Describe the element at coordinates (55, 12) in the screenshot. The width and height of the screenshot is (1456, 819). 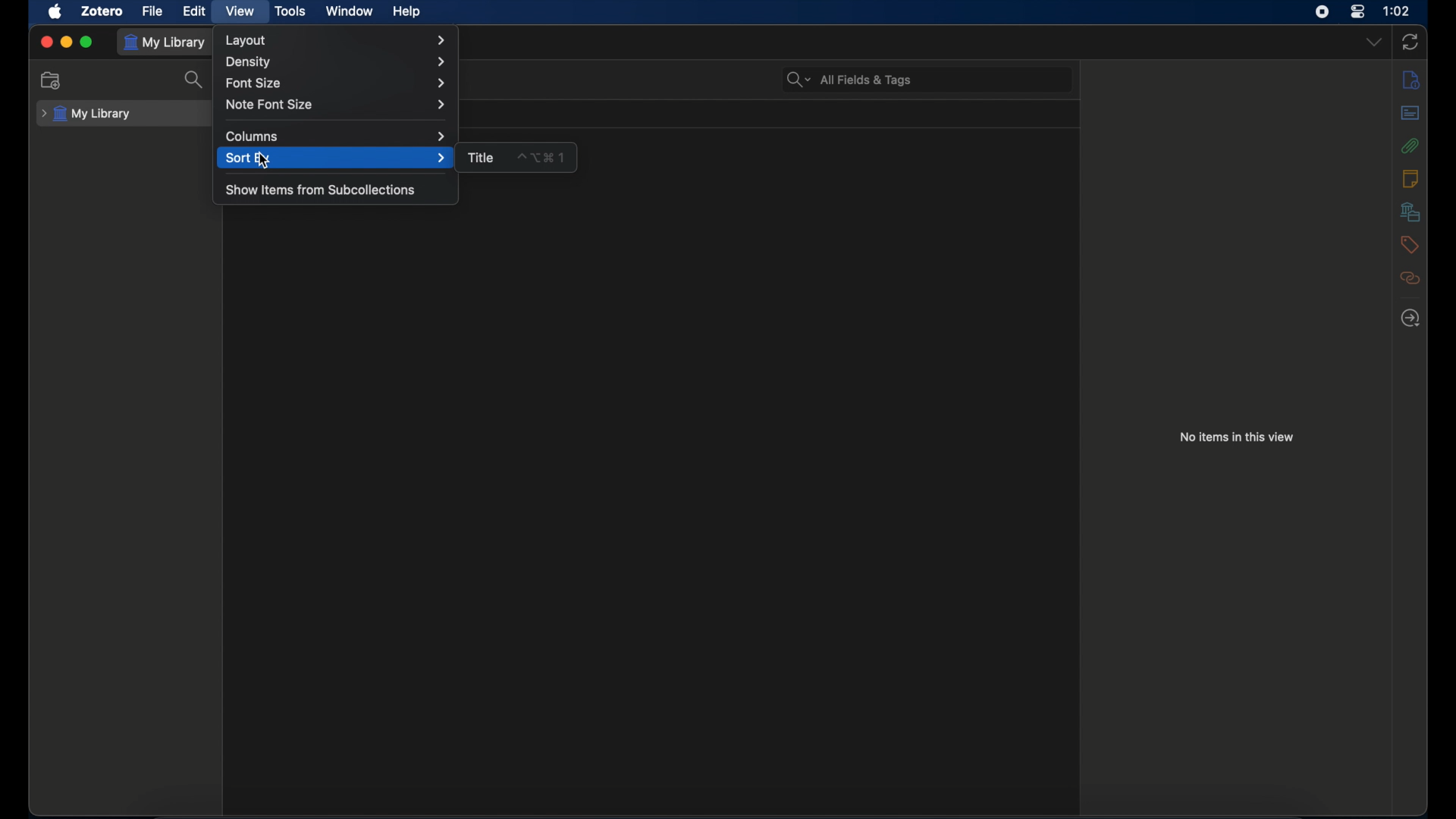
I see `apple` at that location.